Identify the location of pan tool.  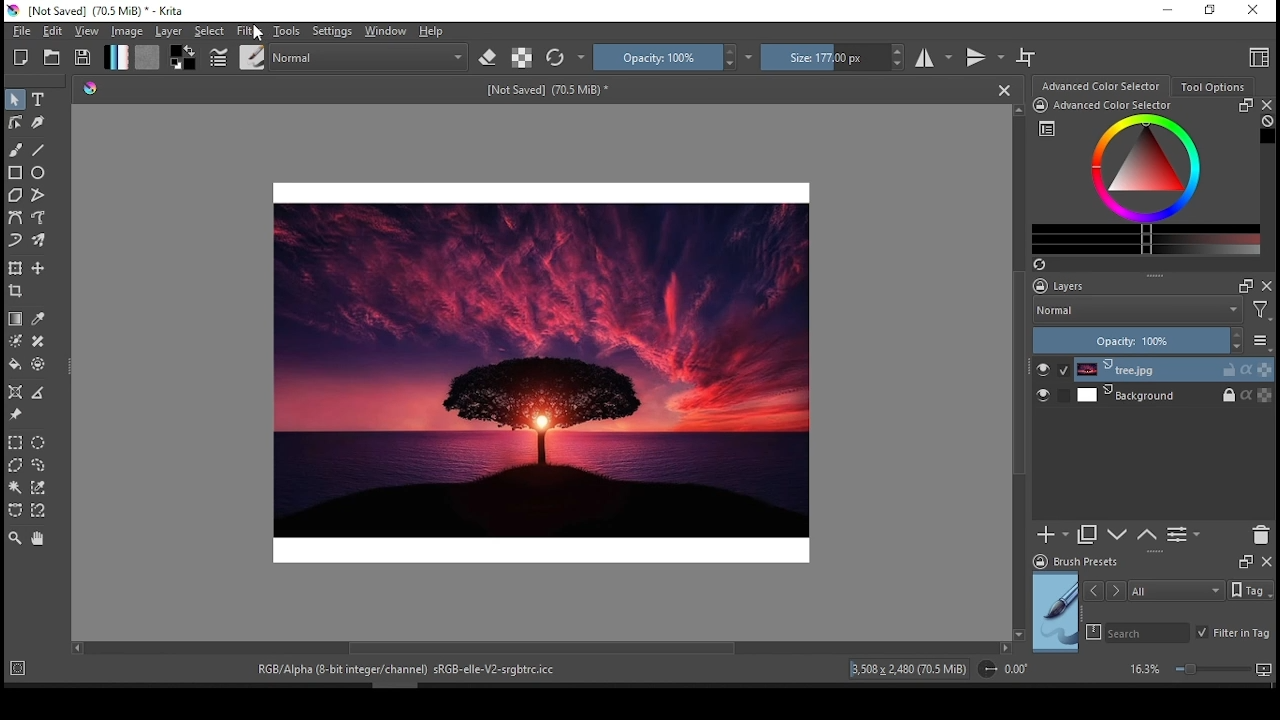
(38, 538).